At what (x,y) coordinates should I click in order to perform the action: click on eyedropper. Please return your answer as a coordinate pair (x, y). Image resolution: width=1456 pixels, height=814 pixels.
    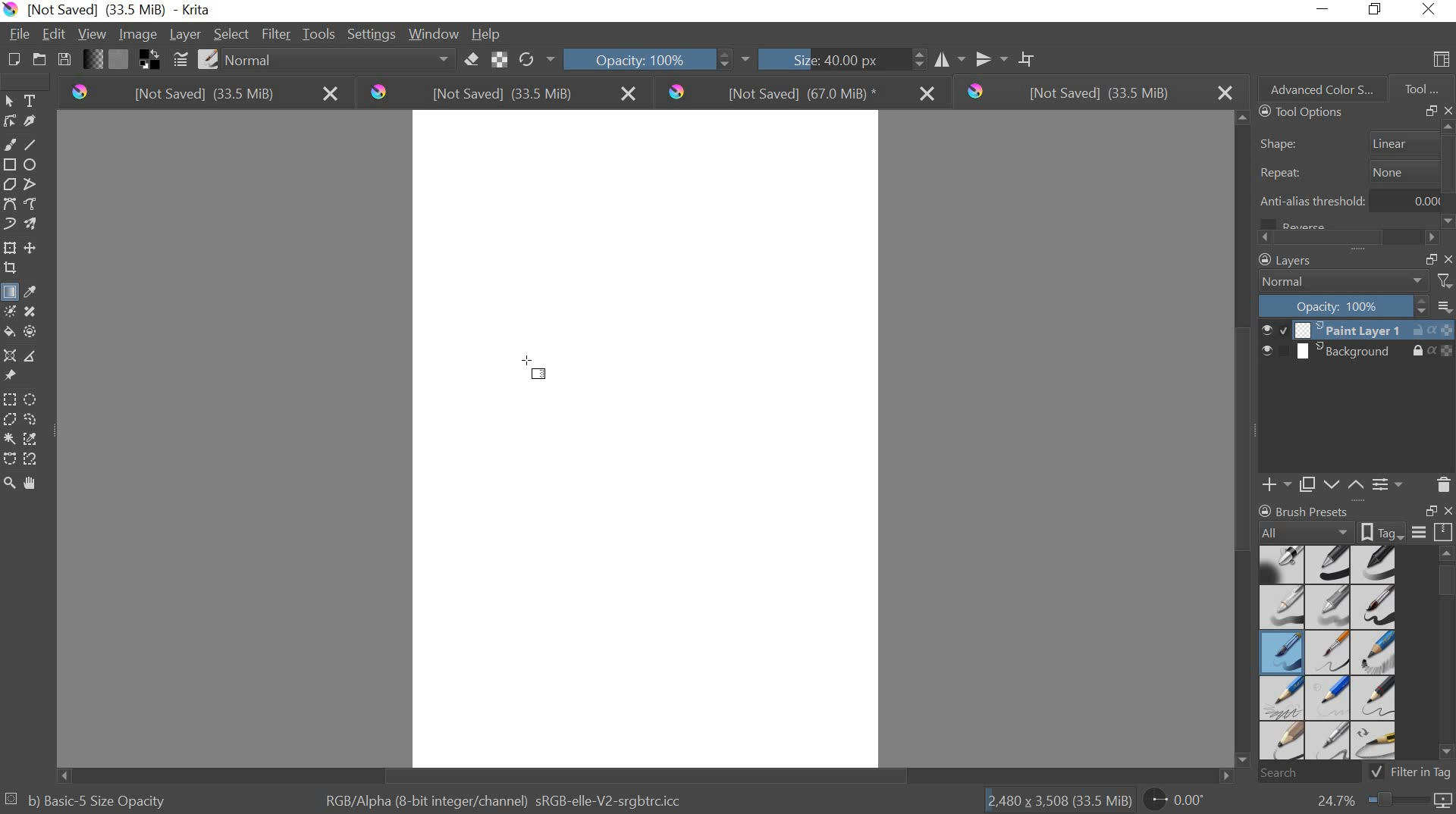
    Looking at the image, I should click on (33, 291).